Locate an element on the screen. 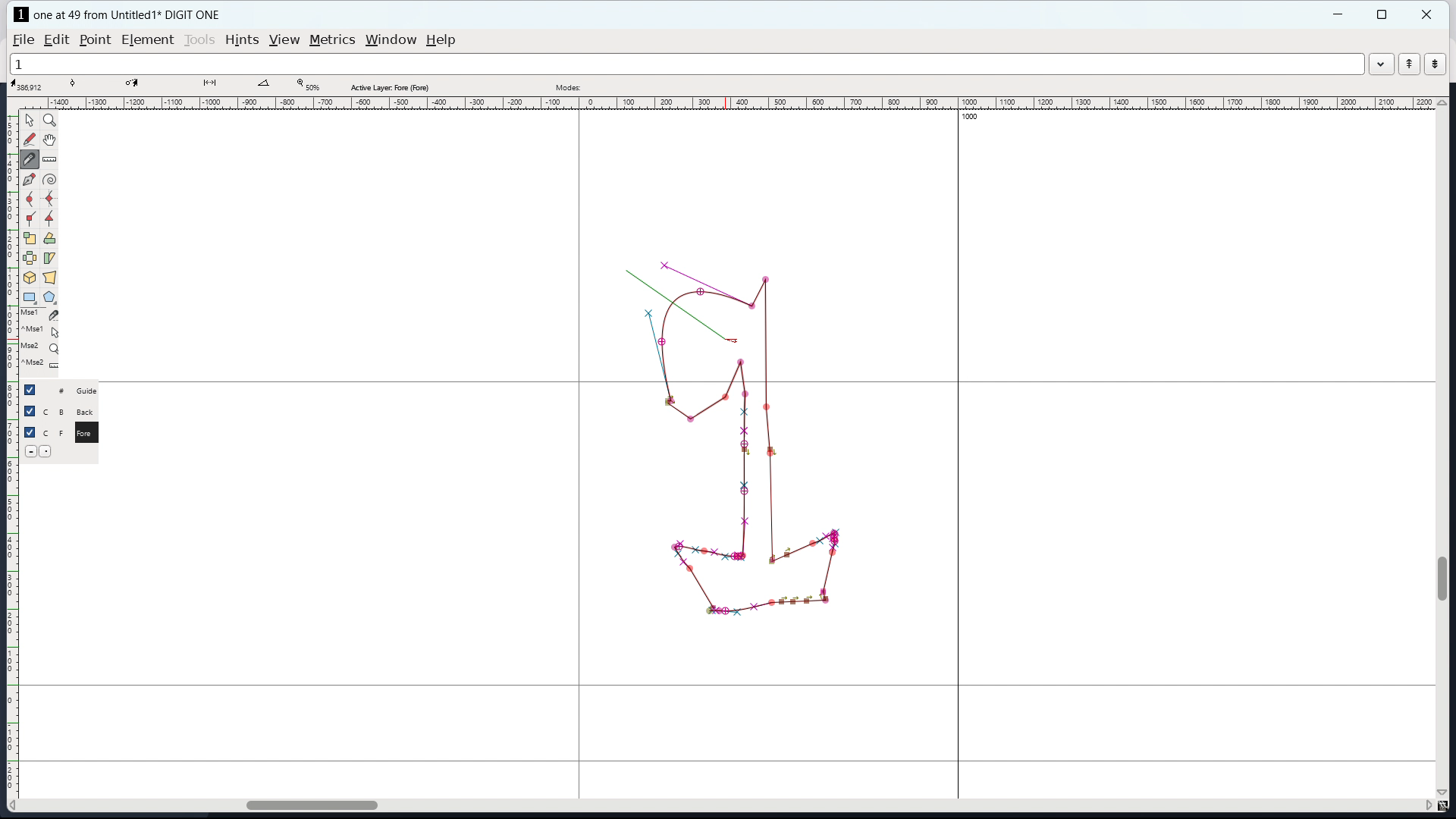  logo is located at coordinates (21, 14).